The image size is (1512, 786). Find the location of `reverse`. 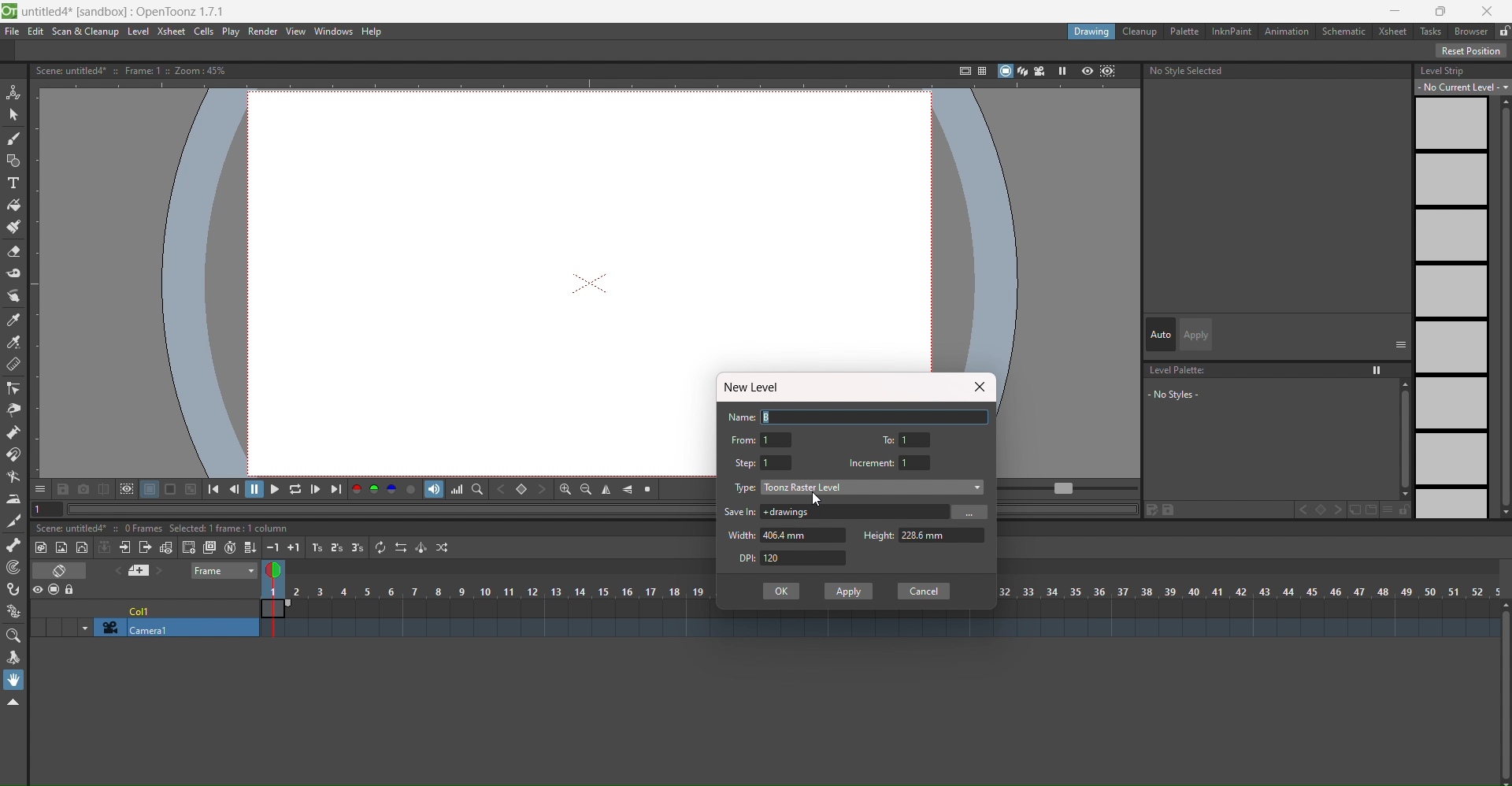

reverse is located at coordinates (400, 547).